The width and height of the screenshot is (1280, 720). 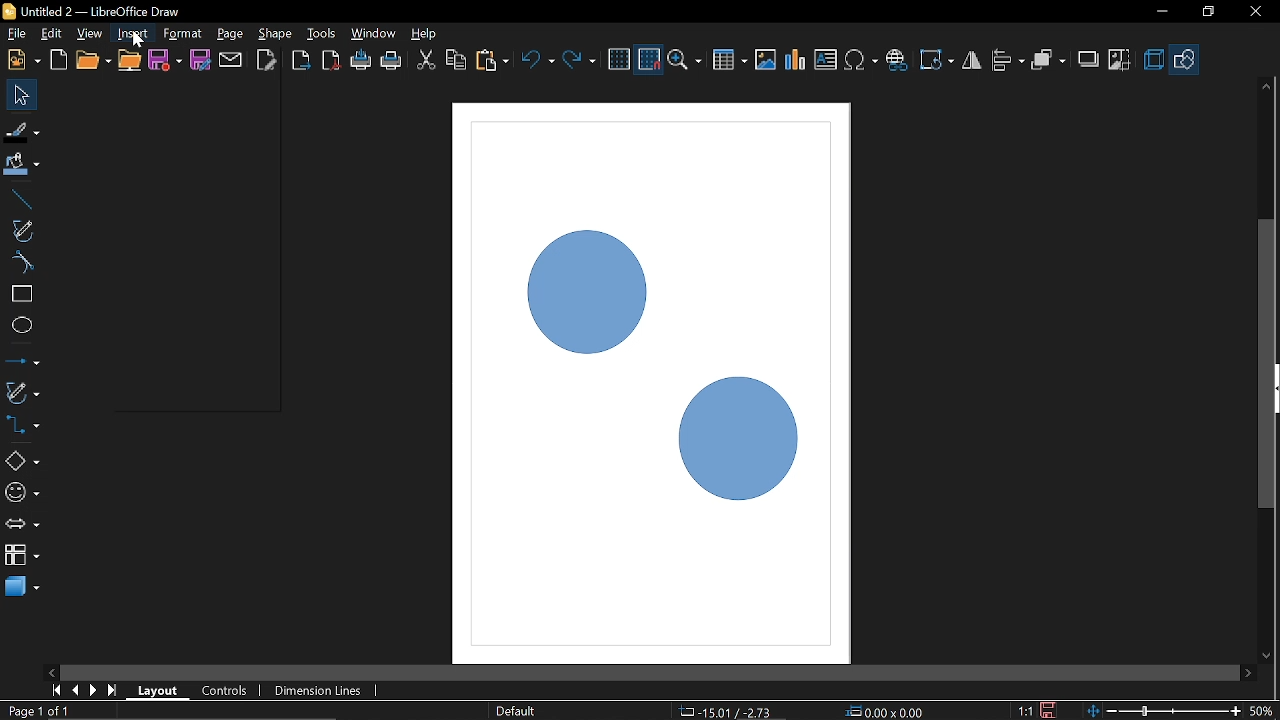 What do you see at coordinates (94, 690) in the screenshot?
I see `Next page` at bounding box center [94, 690].